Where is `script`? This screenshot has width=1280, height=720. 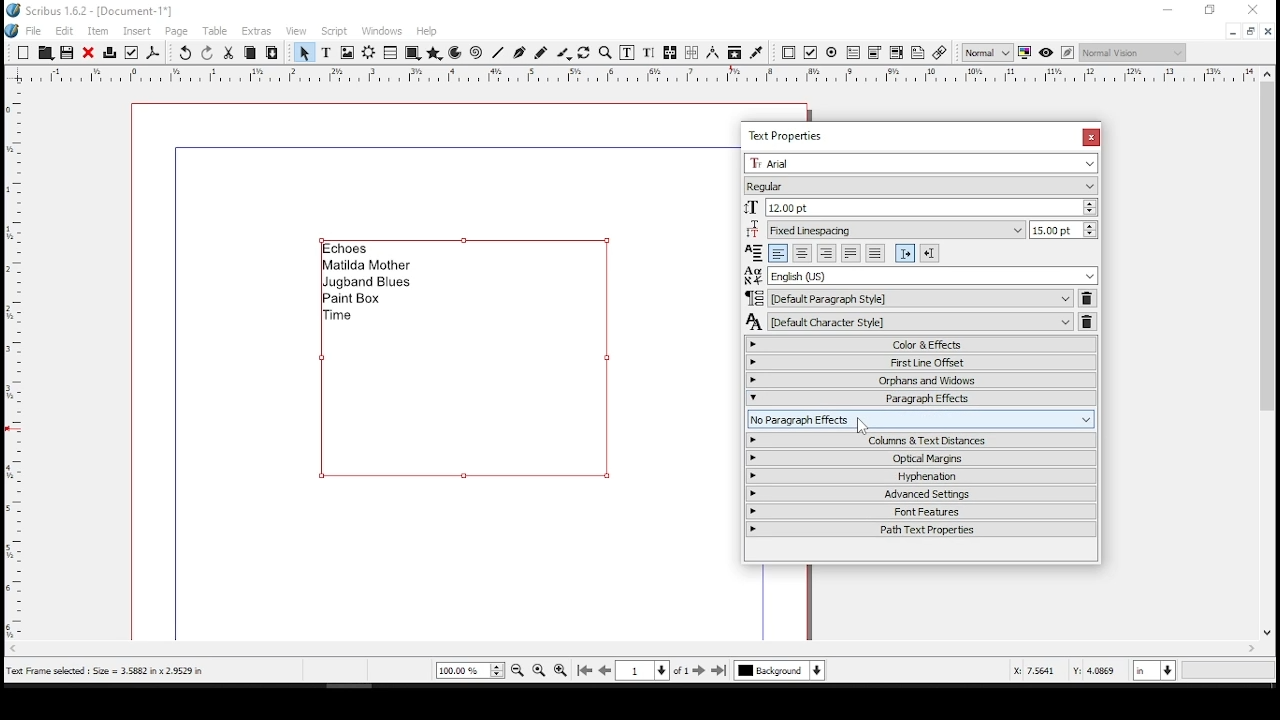
script is located at coordinates (333, 33).